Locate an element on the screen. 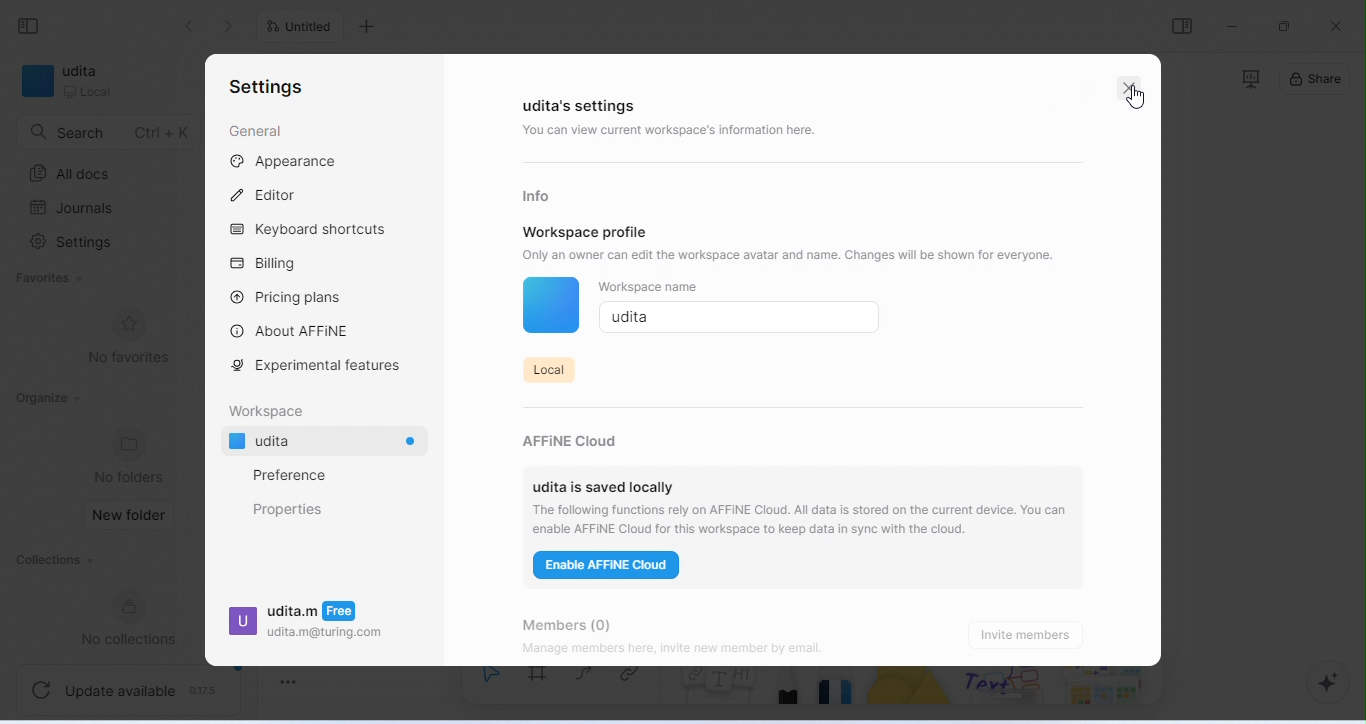  general is located at coordinates (255, 132).